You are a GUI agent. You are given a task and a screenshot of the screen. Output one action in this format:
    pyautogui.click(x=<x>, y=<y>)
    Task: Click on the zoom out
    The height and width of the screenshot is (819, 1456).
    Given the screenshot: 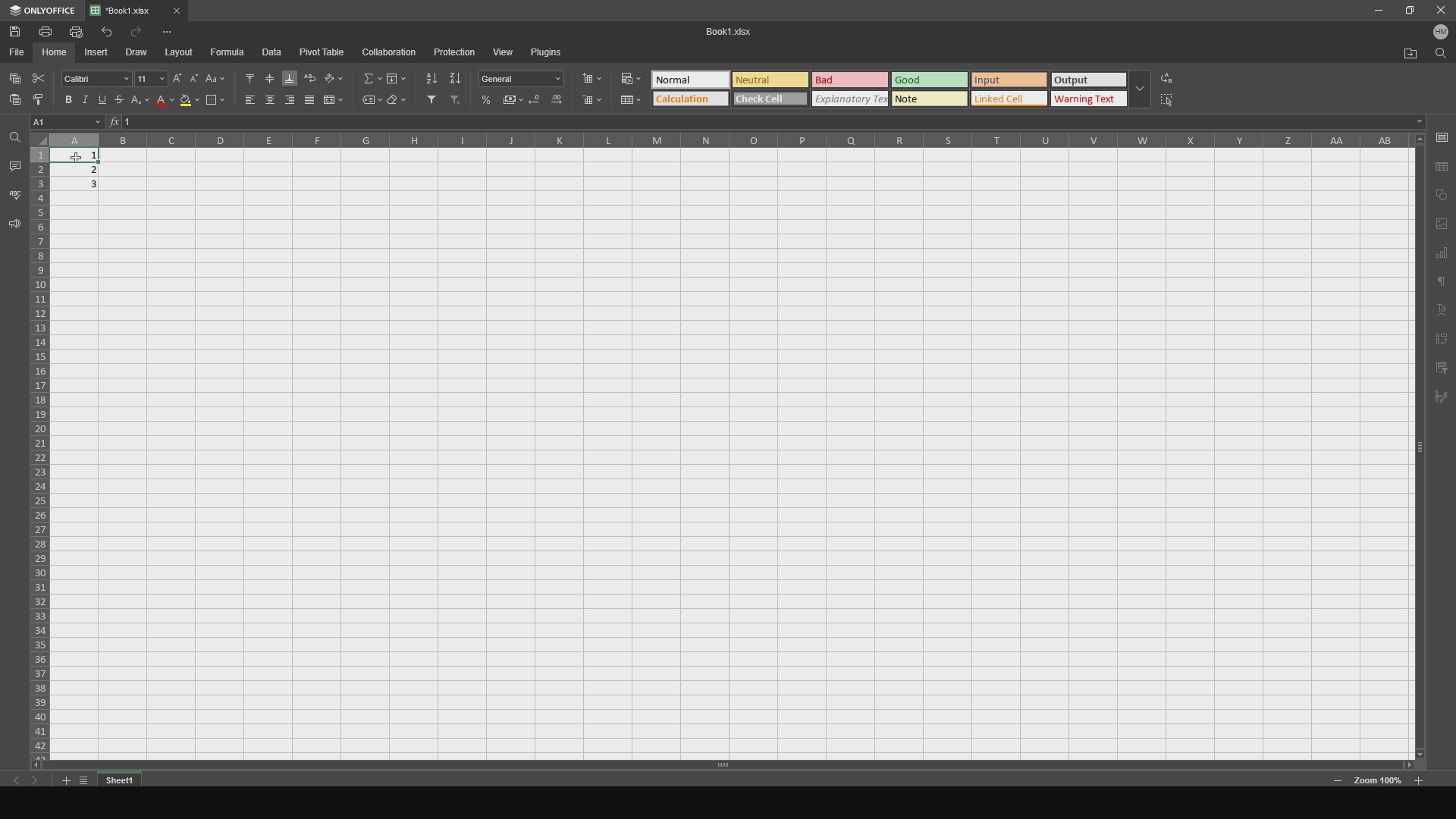 What is the action you would take?
    pyautogui.click(x=1420, y=779)
    